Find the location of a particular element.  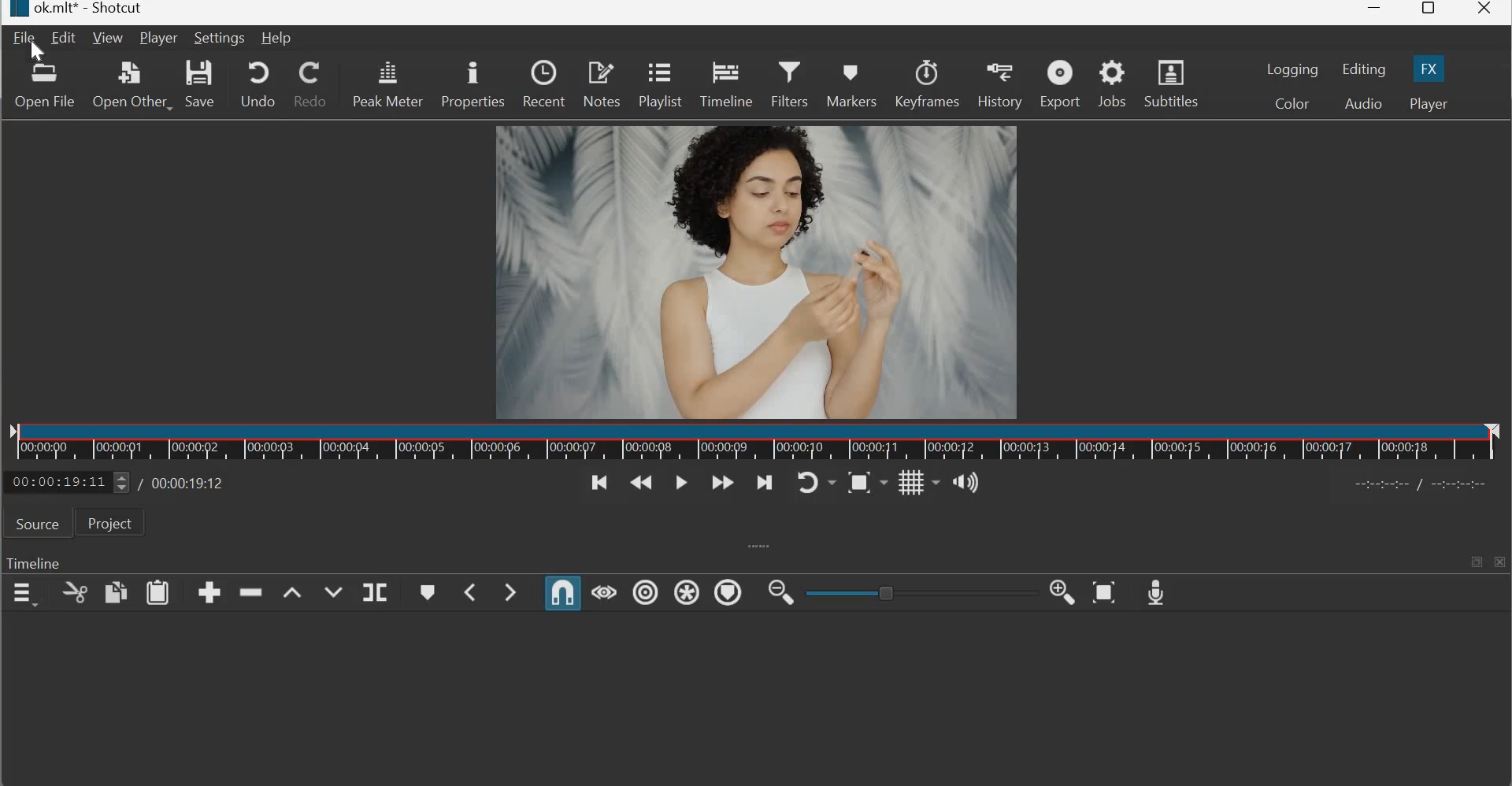

Timeline is located at coordinates (728, 83).